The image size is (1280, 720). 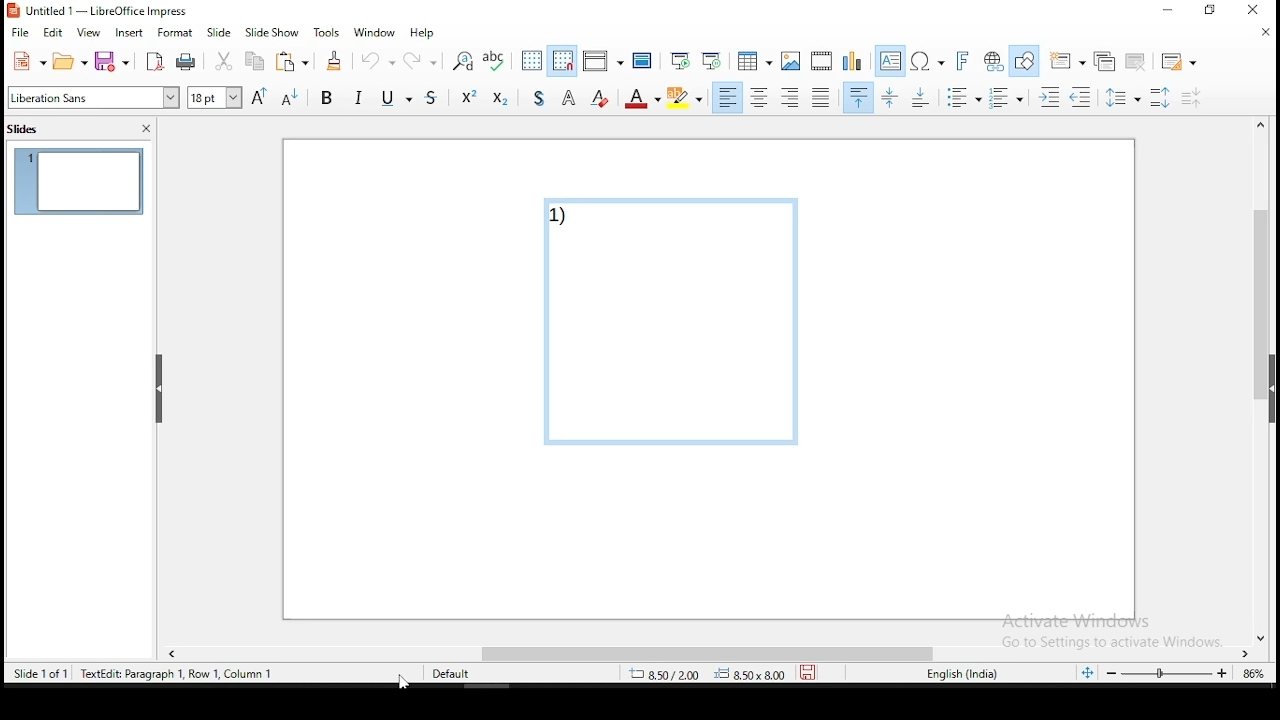 What do you see at coordinates (749, 674) in the screenshot?
I see `0.00x0.00` at bounding box center [749, 674].